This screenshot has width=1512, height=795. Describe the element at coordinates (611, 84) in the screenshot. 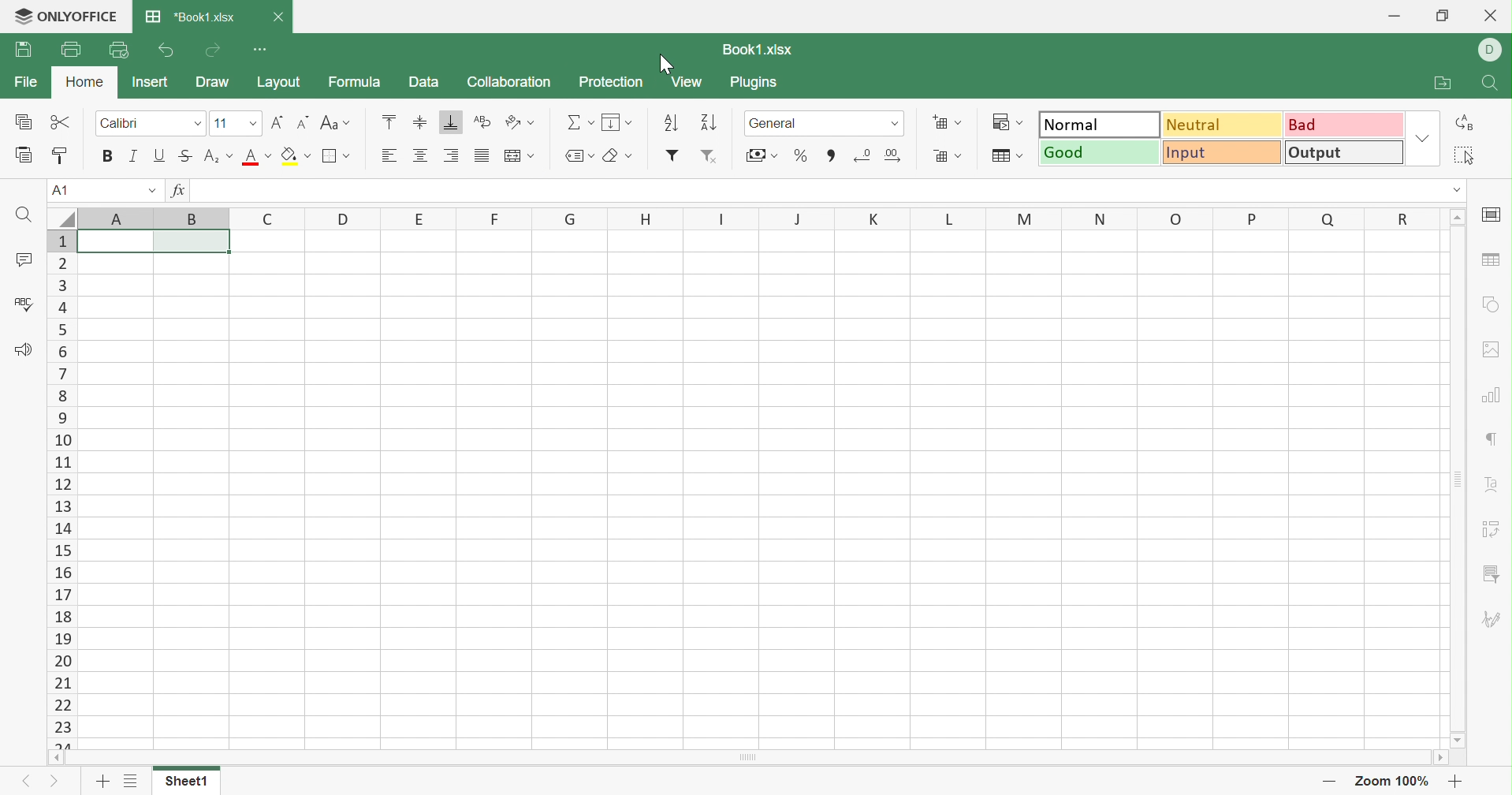

I see `Protection` at that location.